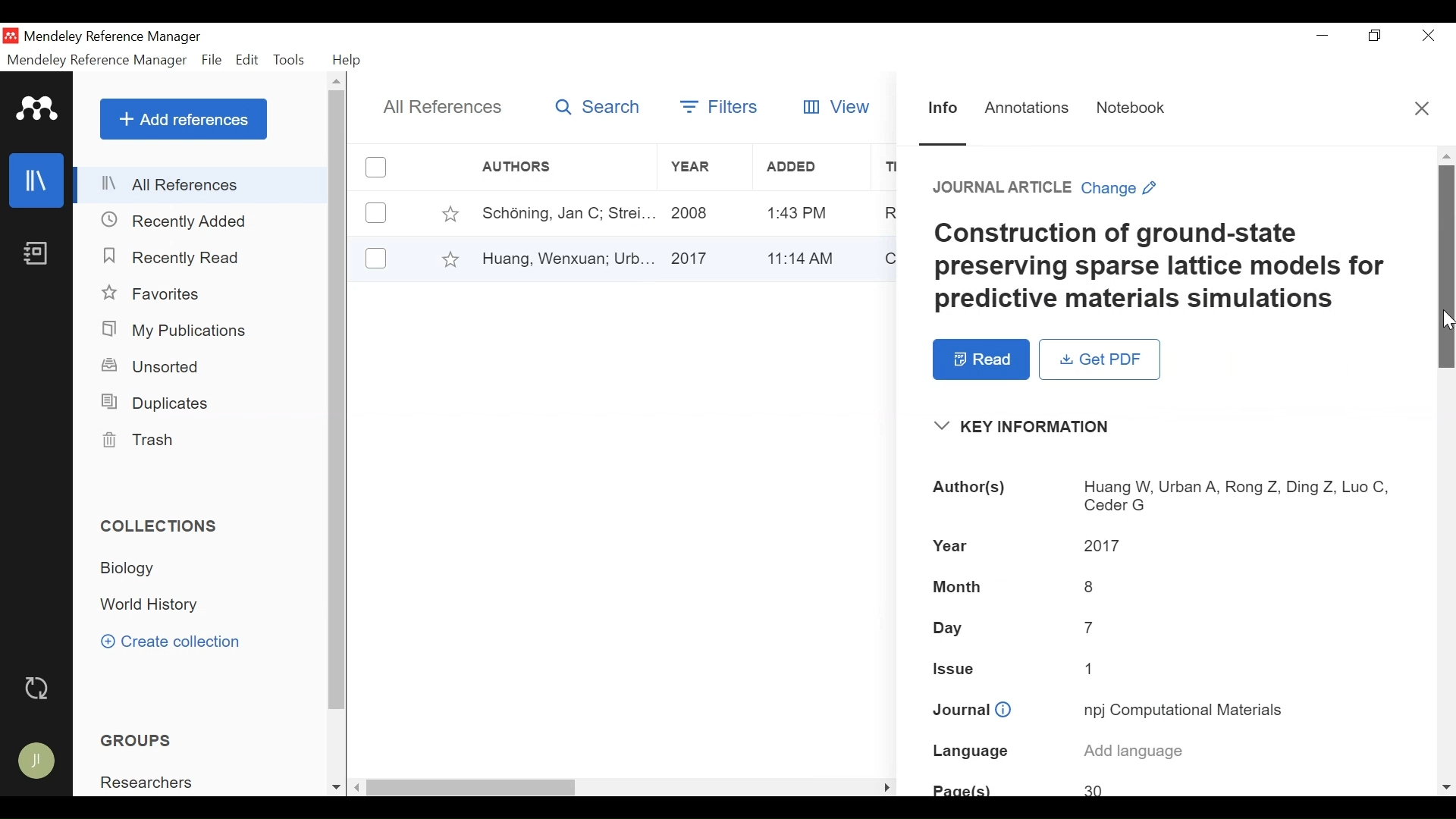 The image size is (1456, 819). What do you see at coordinates (702, 257) in the screenshot?
I see `Year` at bounding box center [702, 257].